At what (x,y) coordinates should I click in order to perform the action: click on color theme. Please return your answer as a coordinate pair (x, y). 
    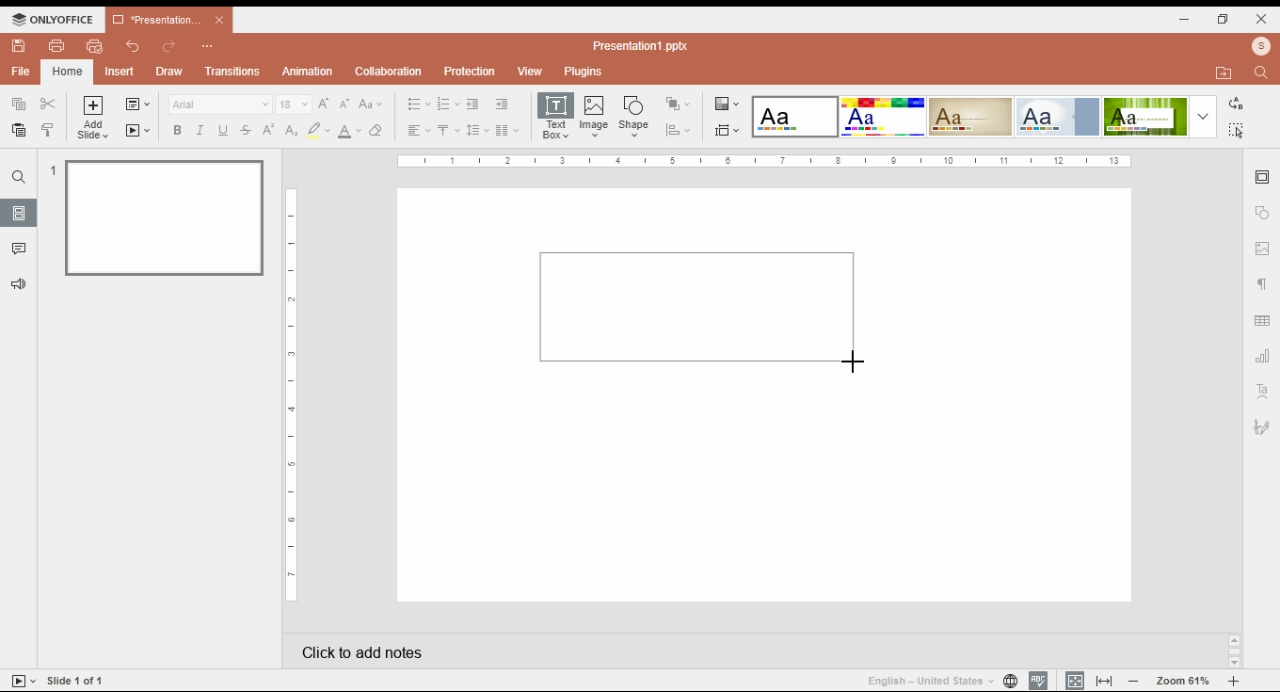
    Looking at the image, I should click on (971, 116).